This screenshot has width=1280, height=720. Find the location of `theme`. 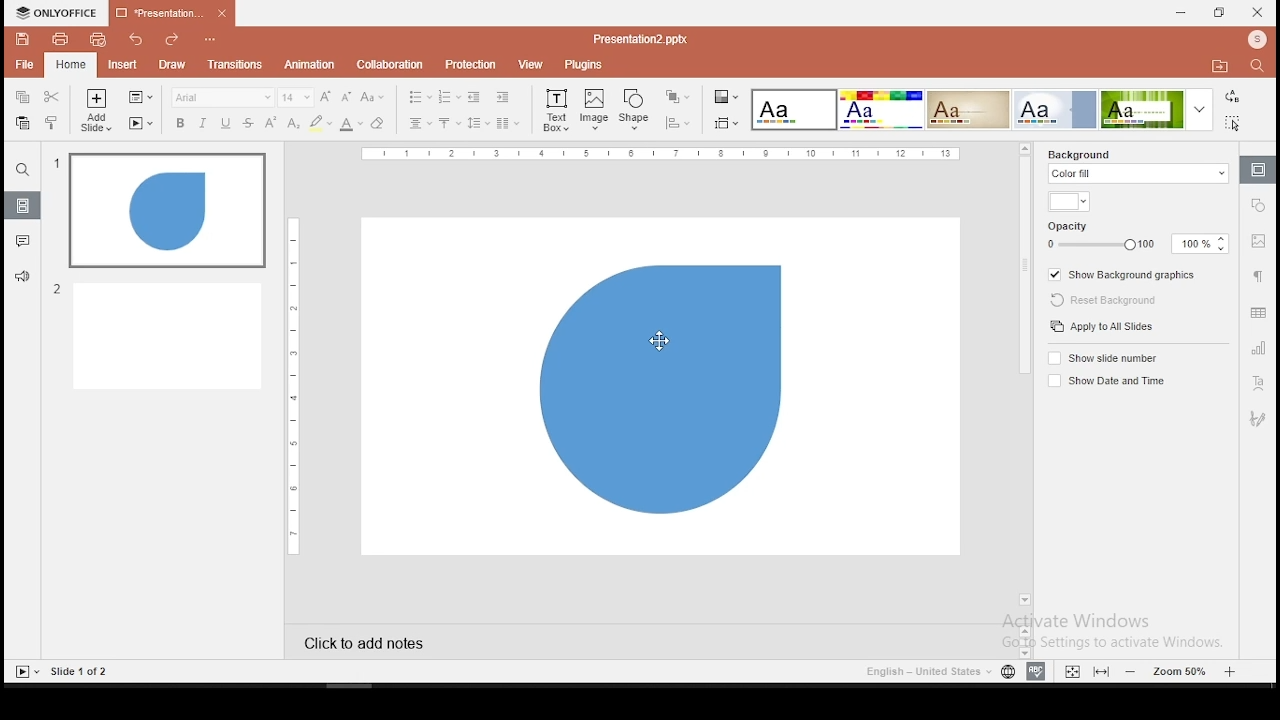

theme is located at coordinates (880, 109).